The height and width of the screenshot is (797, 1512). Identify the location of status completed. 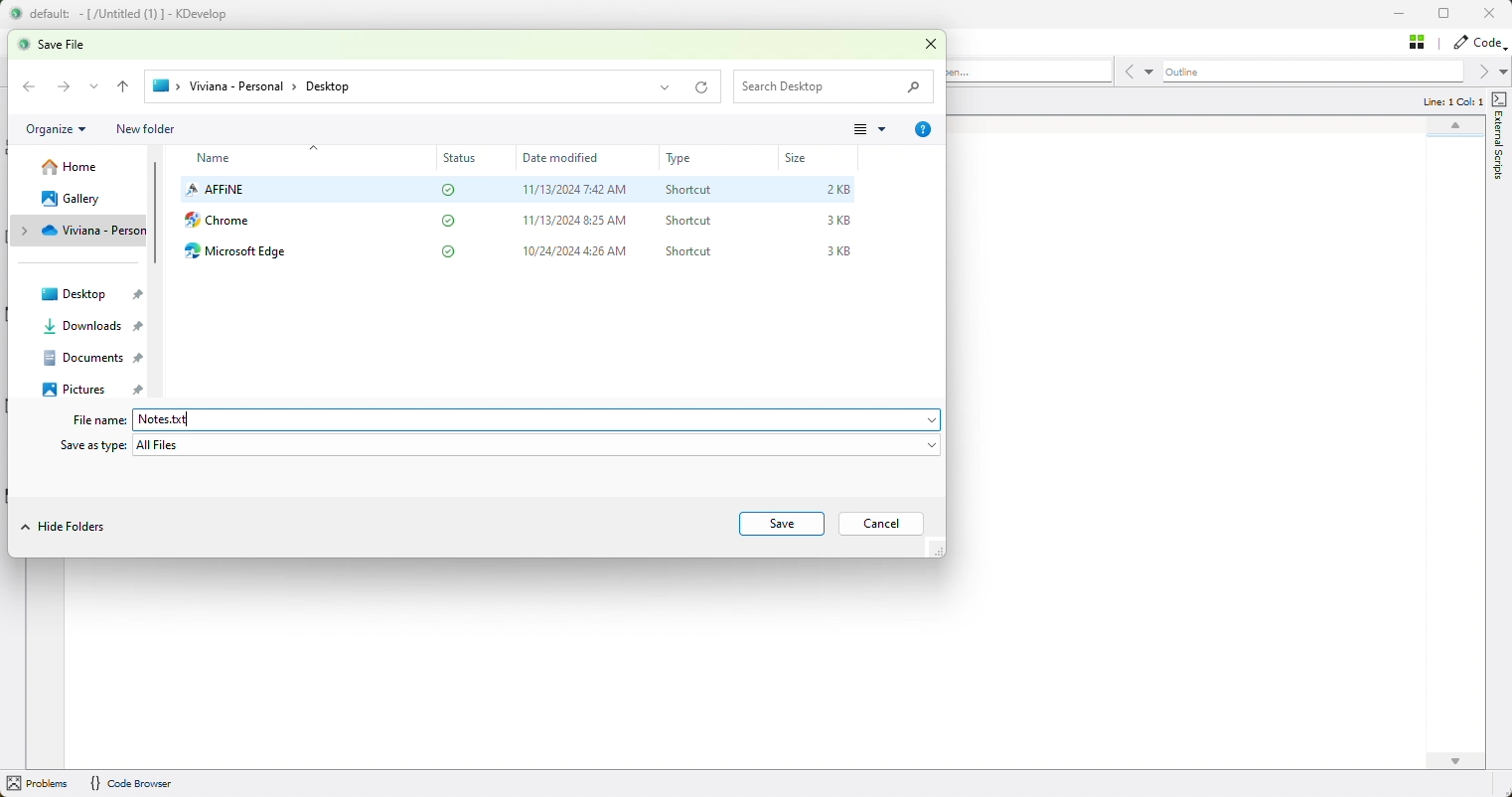
(453, 221).